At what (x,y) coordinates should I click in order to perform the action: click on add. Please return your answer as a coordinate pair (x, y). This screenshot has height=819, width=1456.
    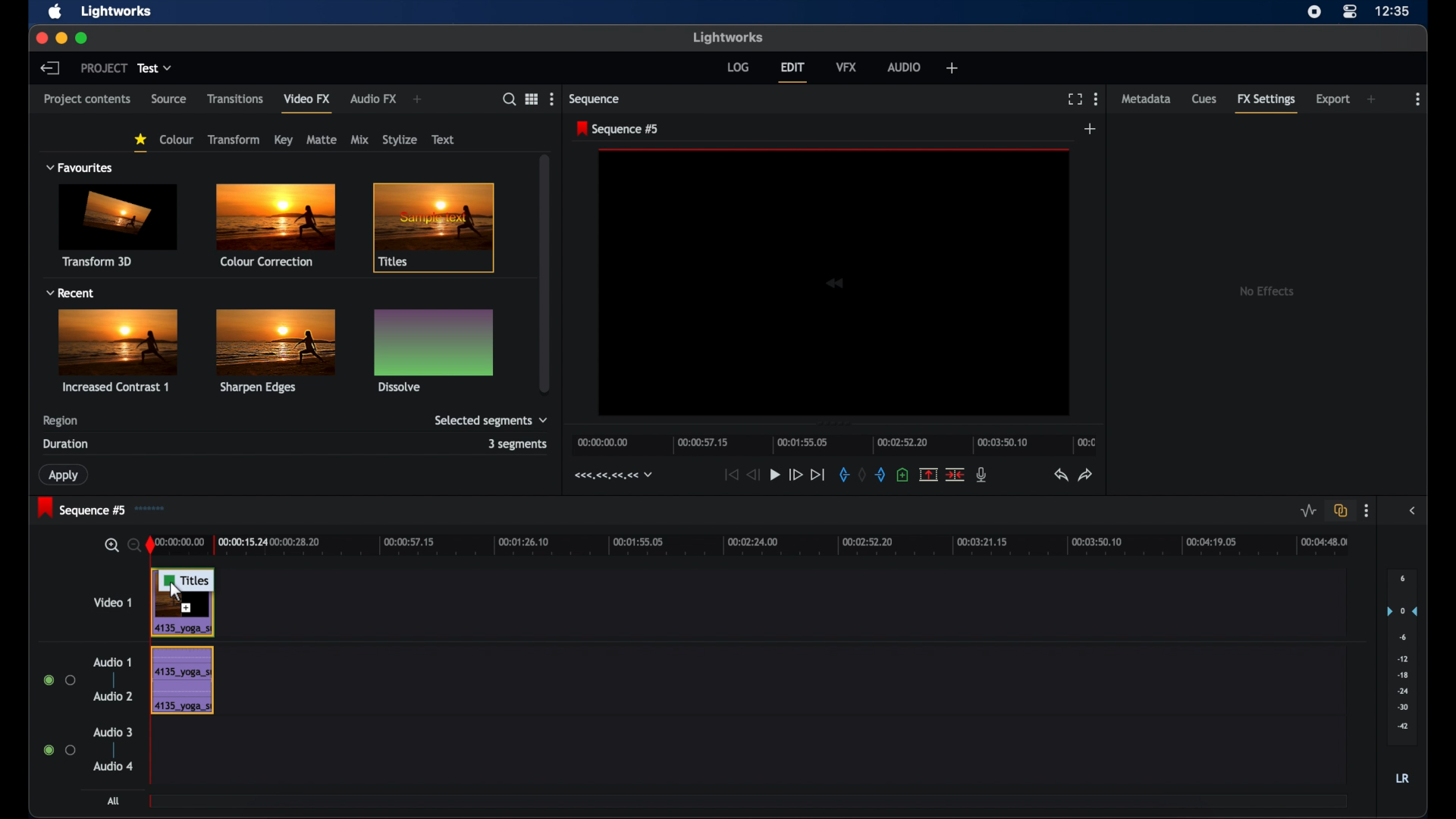
    Looking at the image, I should click on (1091, 130).